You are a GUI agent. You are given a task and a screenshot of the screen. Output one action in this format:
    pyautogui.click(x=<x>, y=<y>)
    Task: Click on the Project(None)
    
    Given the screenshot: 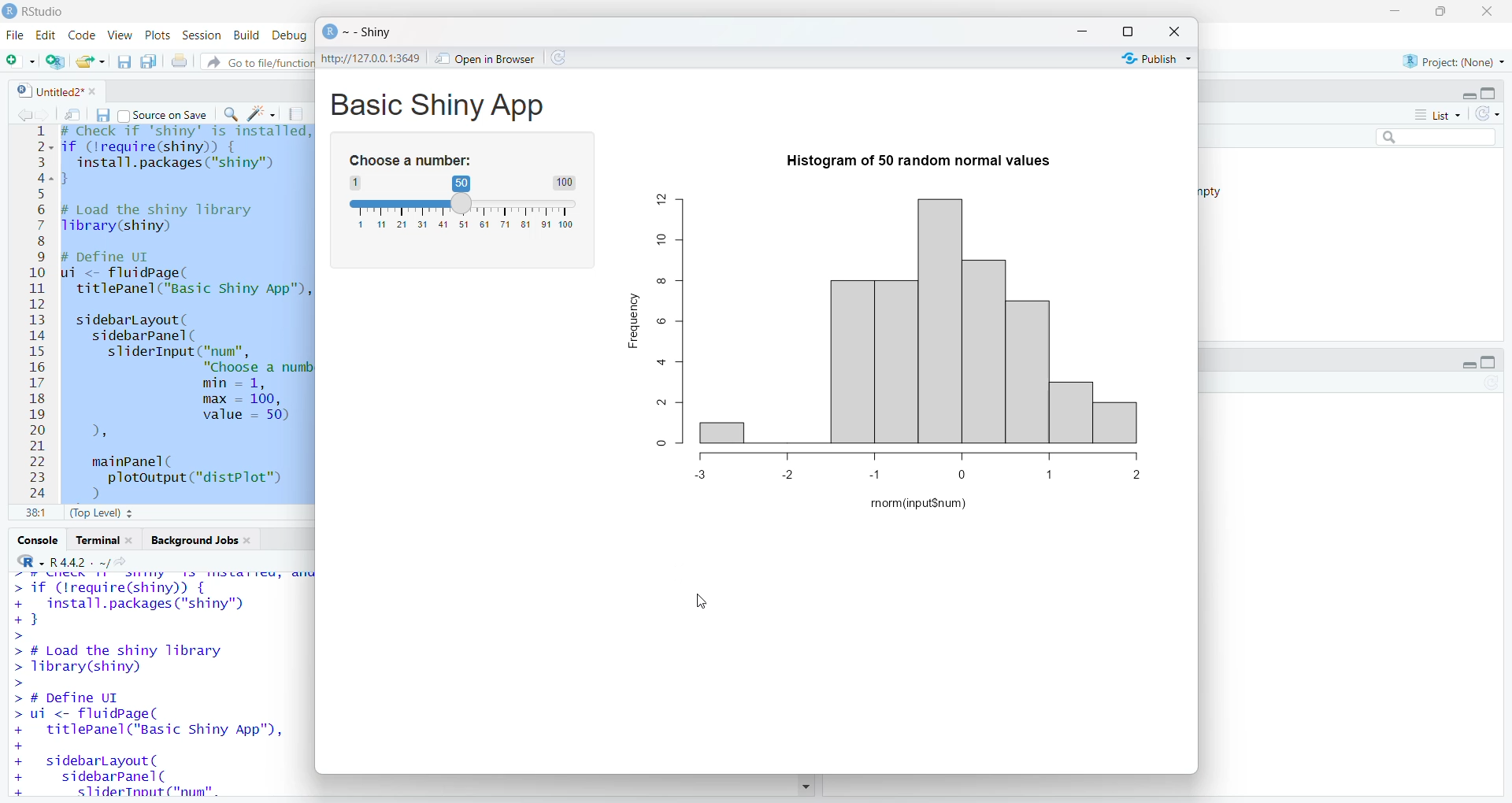 What is the action you would take?
    pyautogui.click(x=1455, y=61)
    